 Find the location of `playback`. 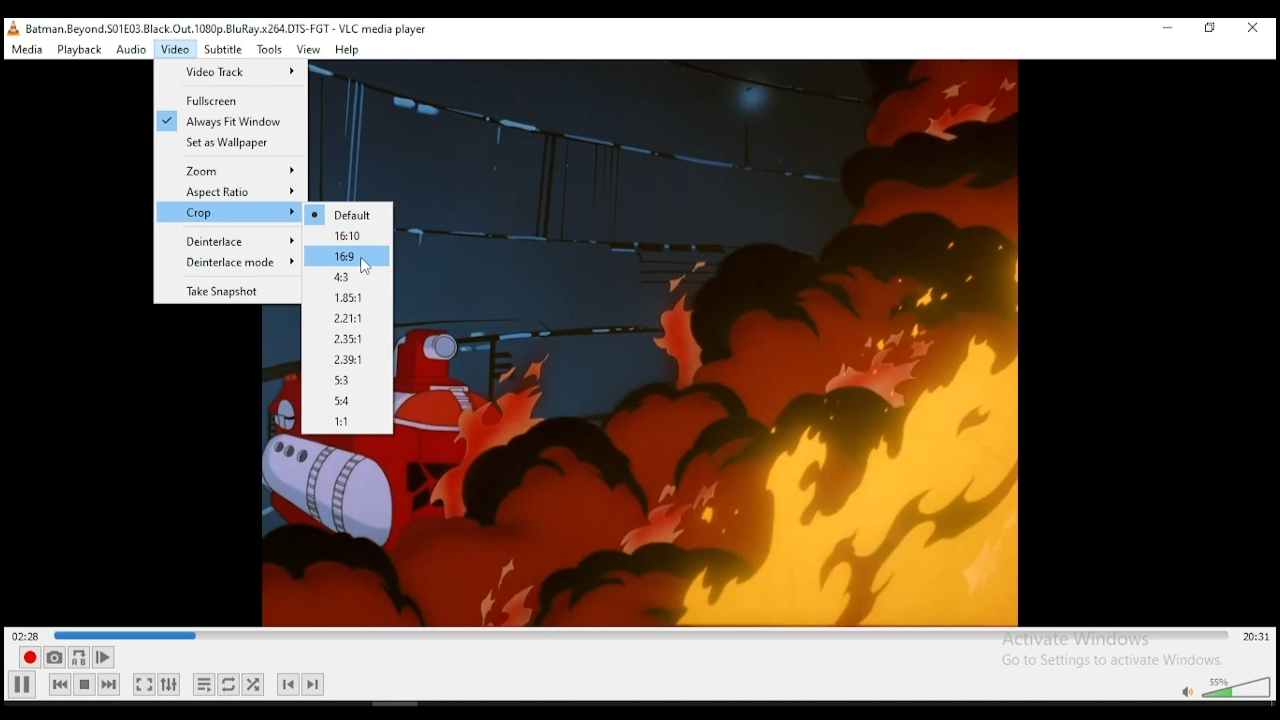

playback is located at coordinates (80, 50).